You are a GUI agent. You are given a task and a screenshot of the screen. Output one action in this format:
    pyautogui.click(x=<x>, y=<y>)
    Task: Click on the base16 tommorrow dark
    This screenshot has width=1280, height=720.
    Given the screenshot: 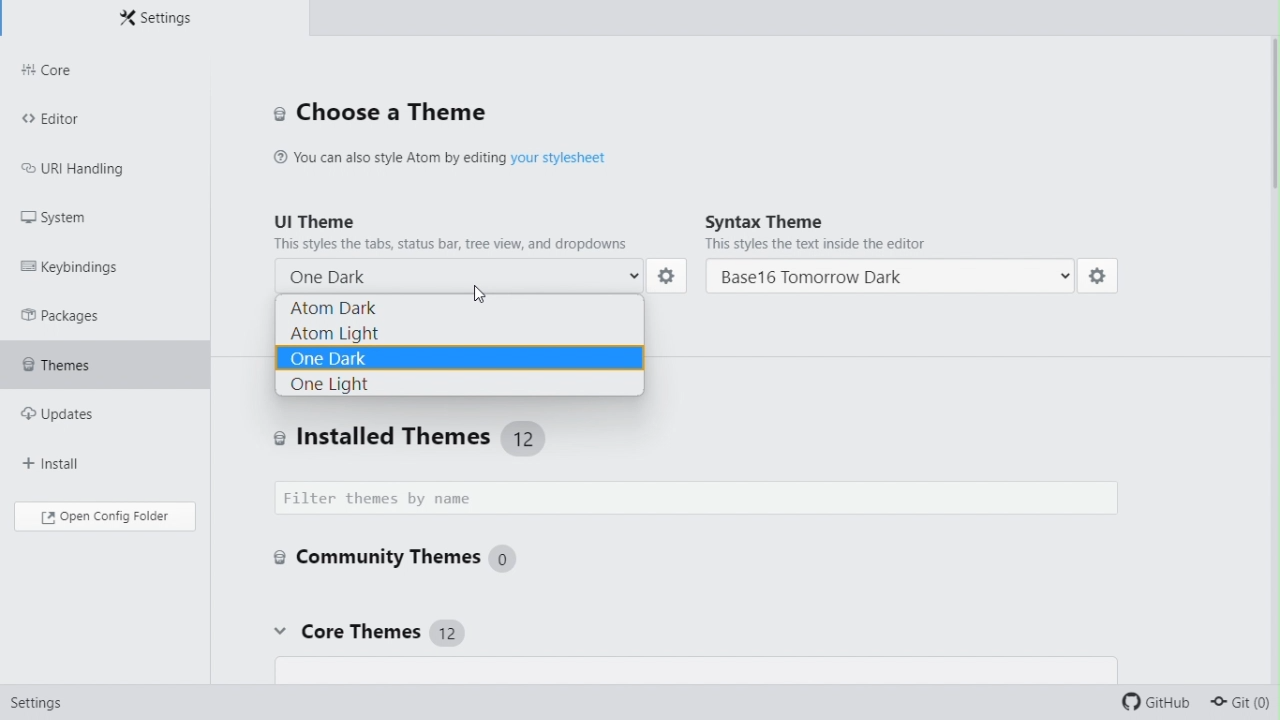 What is the action you would take?
    pyautogui.click(x=891, y=278)
    